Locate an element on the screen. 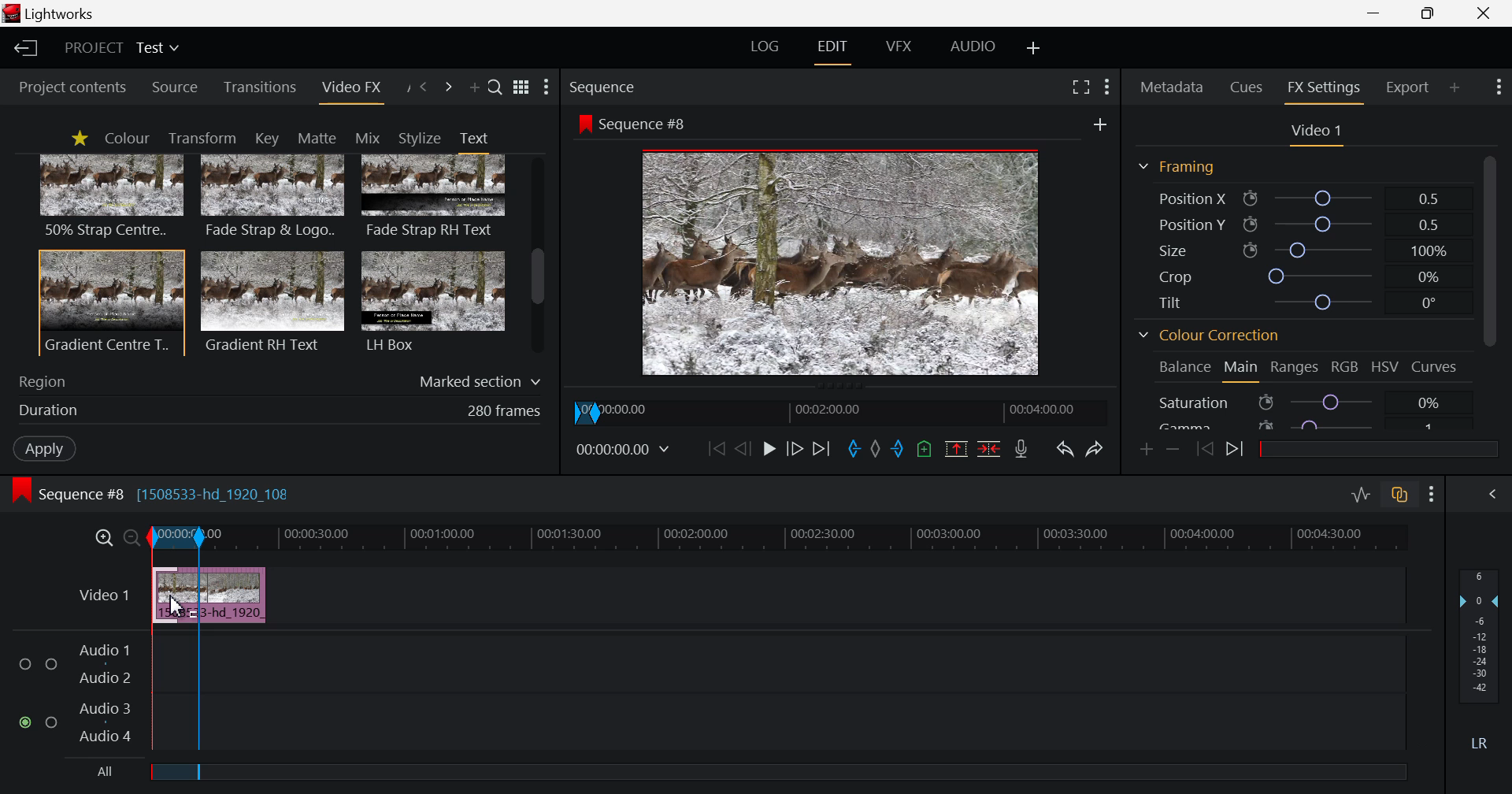 This screenshot has width=1512, height=794. Toggle audio levels editing is located at coordinates (1364, 495).